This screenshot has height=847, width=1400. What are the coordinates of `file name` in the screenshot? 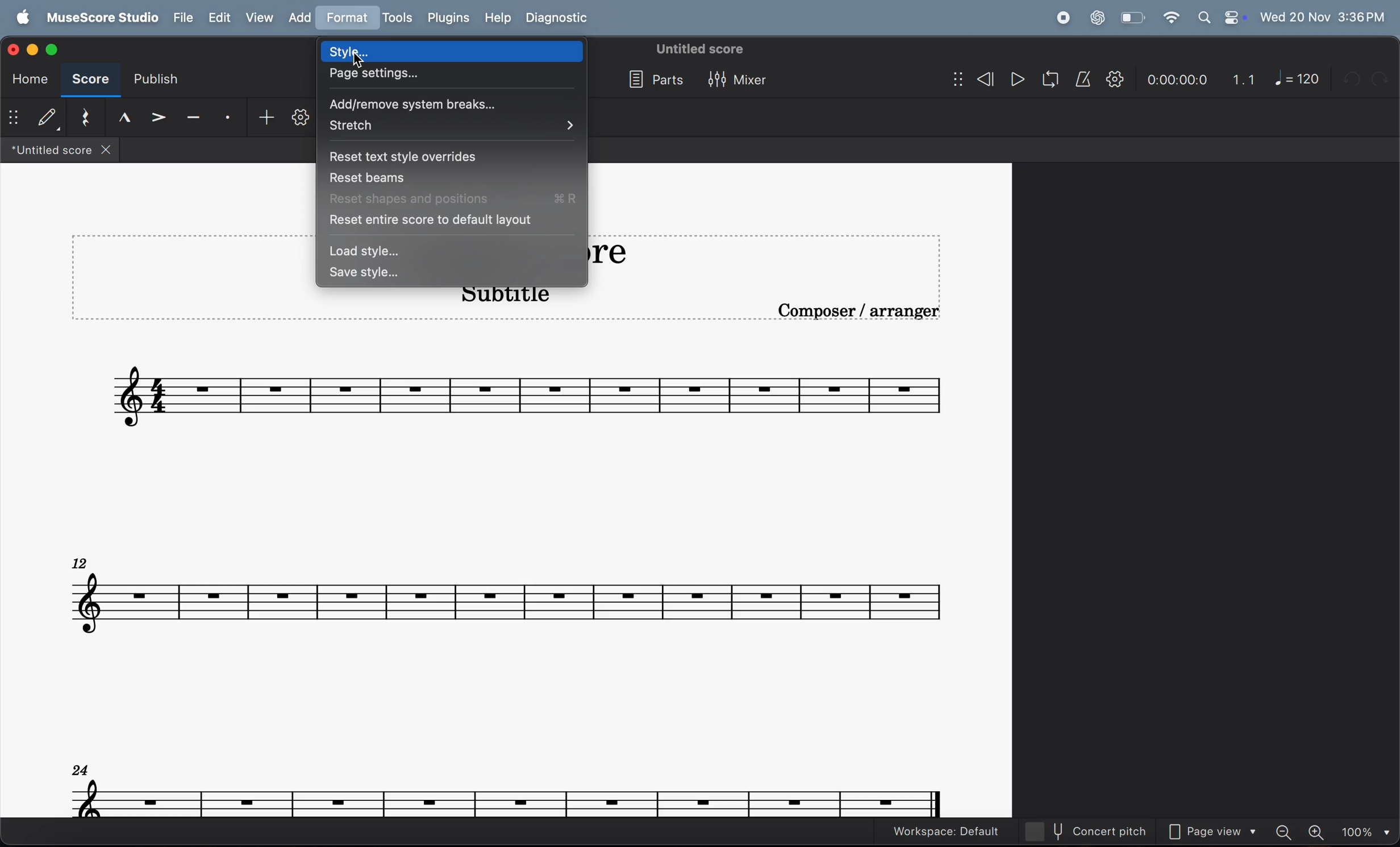 It's located at (60, 151).